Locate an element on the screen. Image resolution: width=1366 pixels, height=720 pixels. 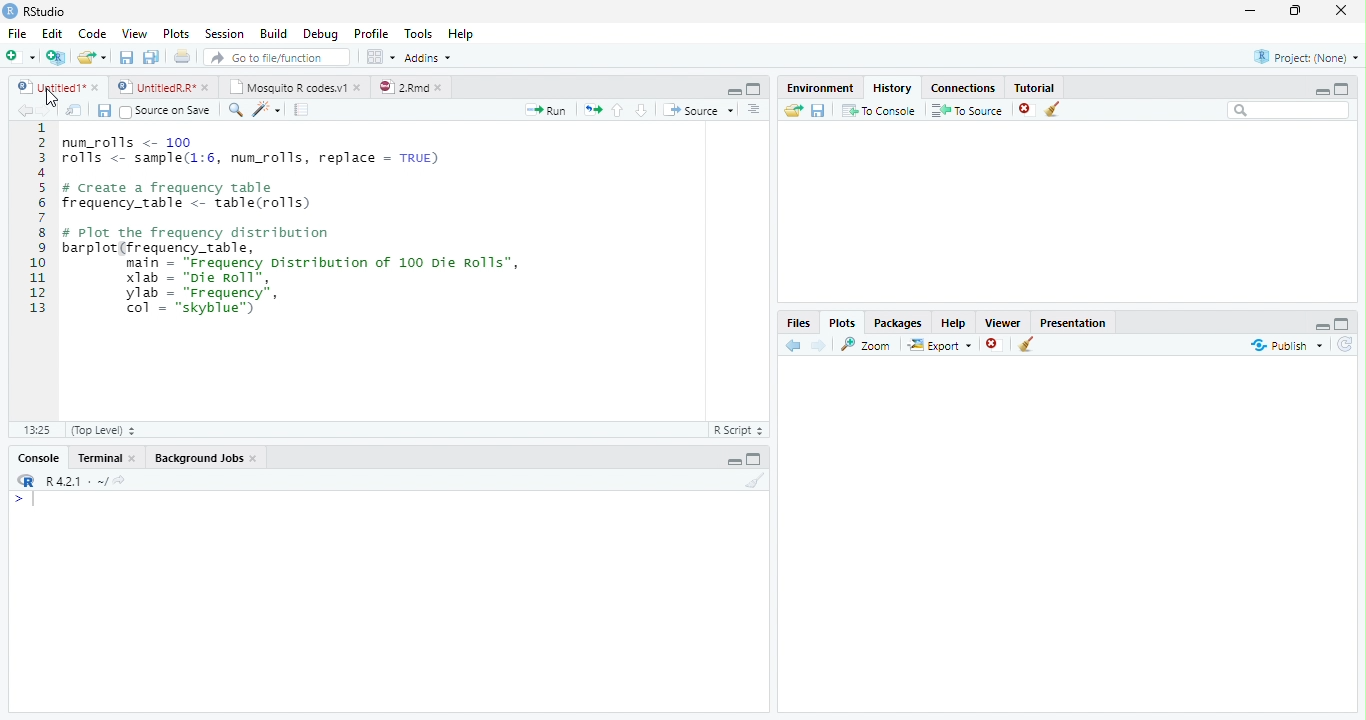
Full Screen is located at coordinates (755, 88).